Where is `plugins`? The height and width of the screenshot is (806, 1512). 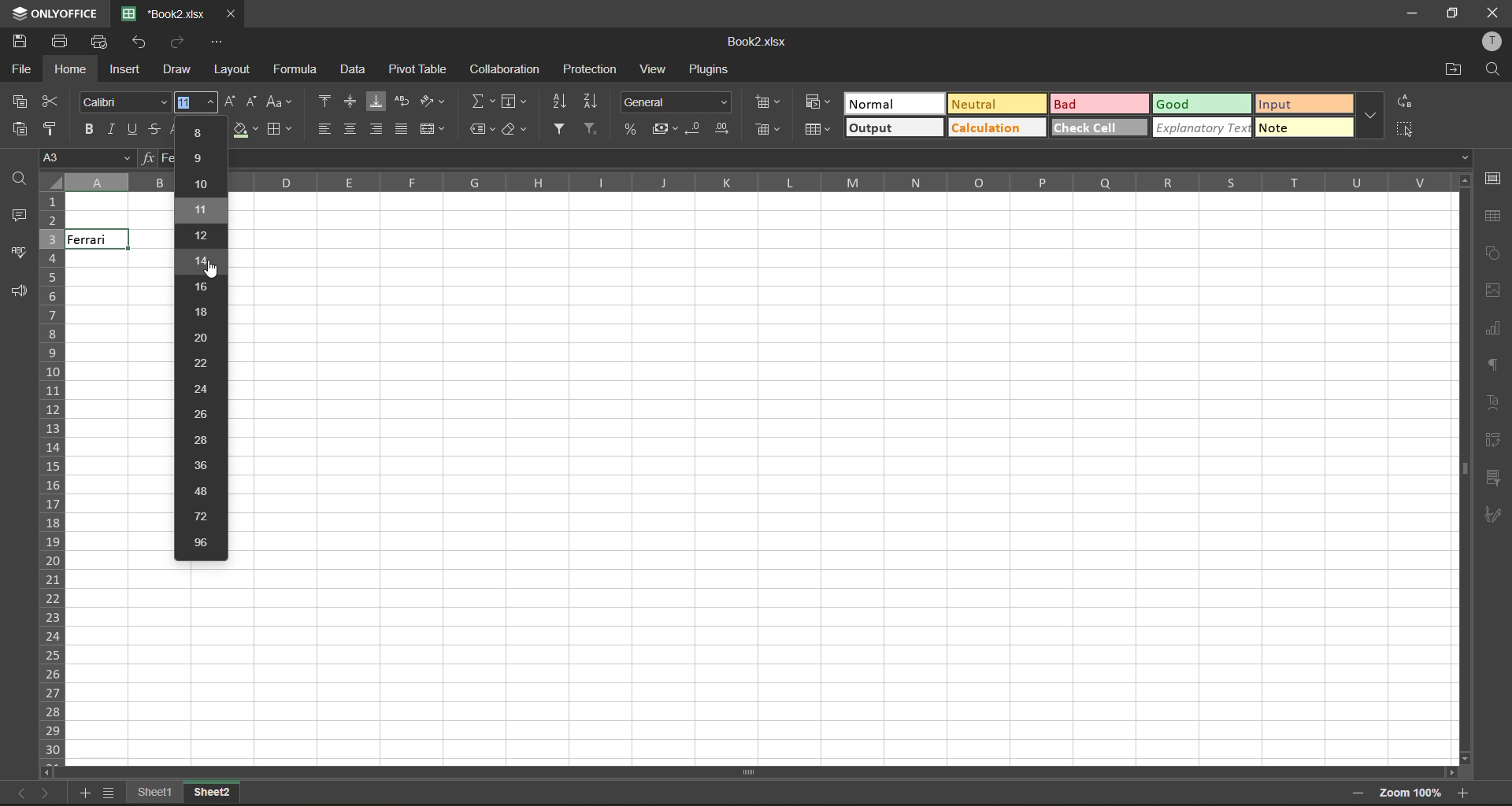
plugins is located at coordinates (713, 68).